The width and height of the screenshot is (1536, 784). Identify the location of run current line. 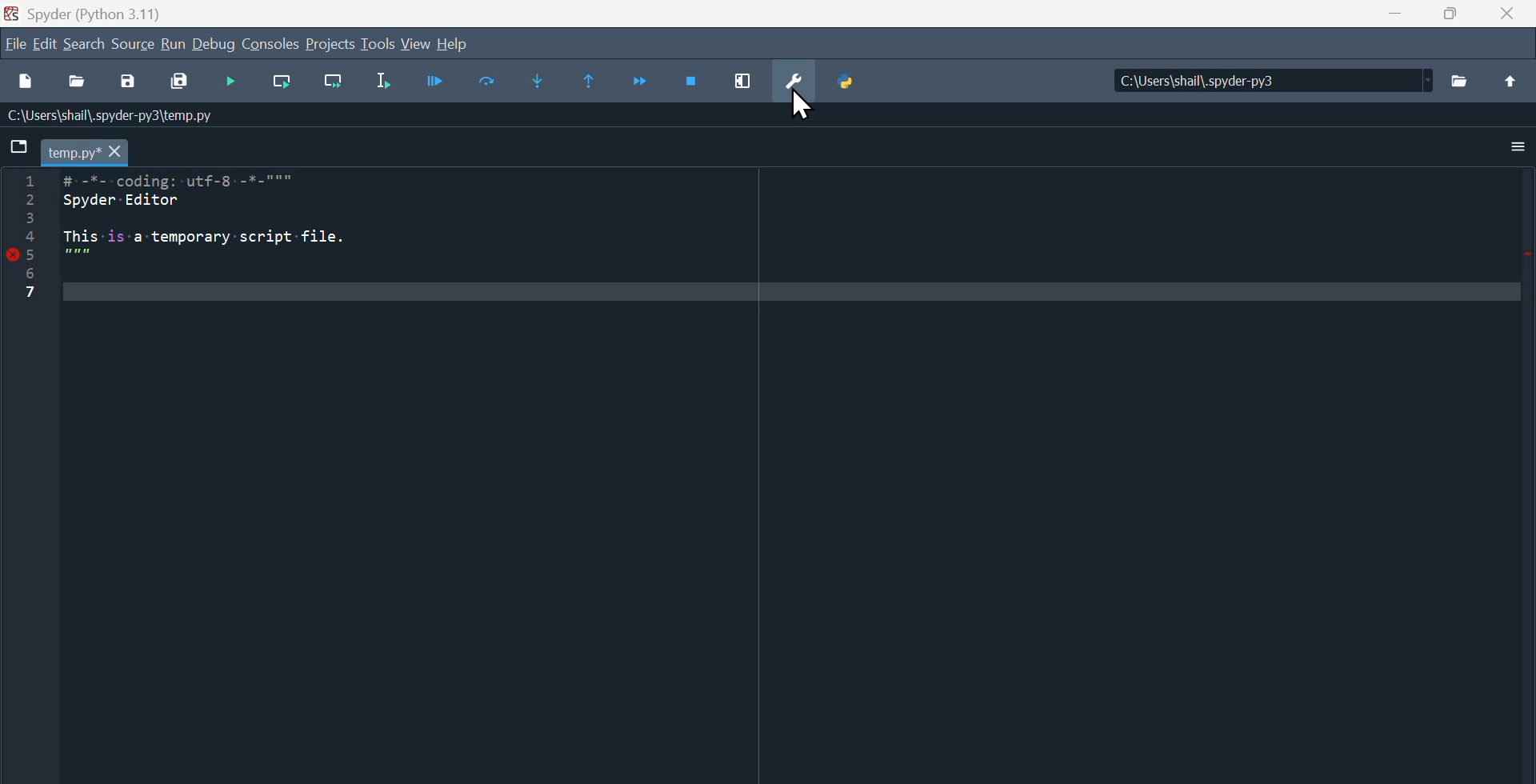
(286, 84).